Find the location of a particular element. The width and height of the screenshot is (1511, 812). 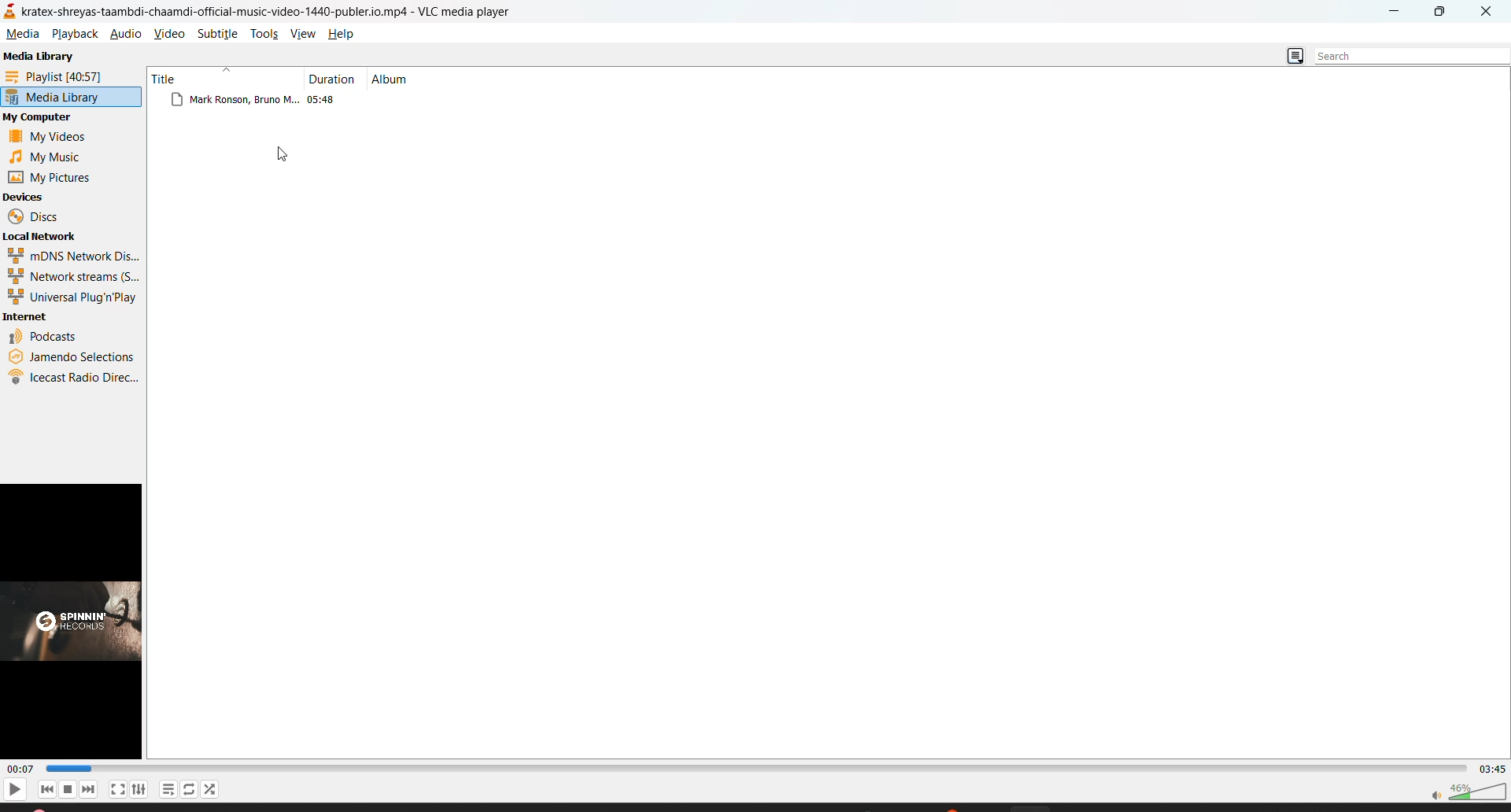

universal plug n play is located at coordinates (71, 297).